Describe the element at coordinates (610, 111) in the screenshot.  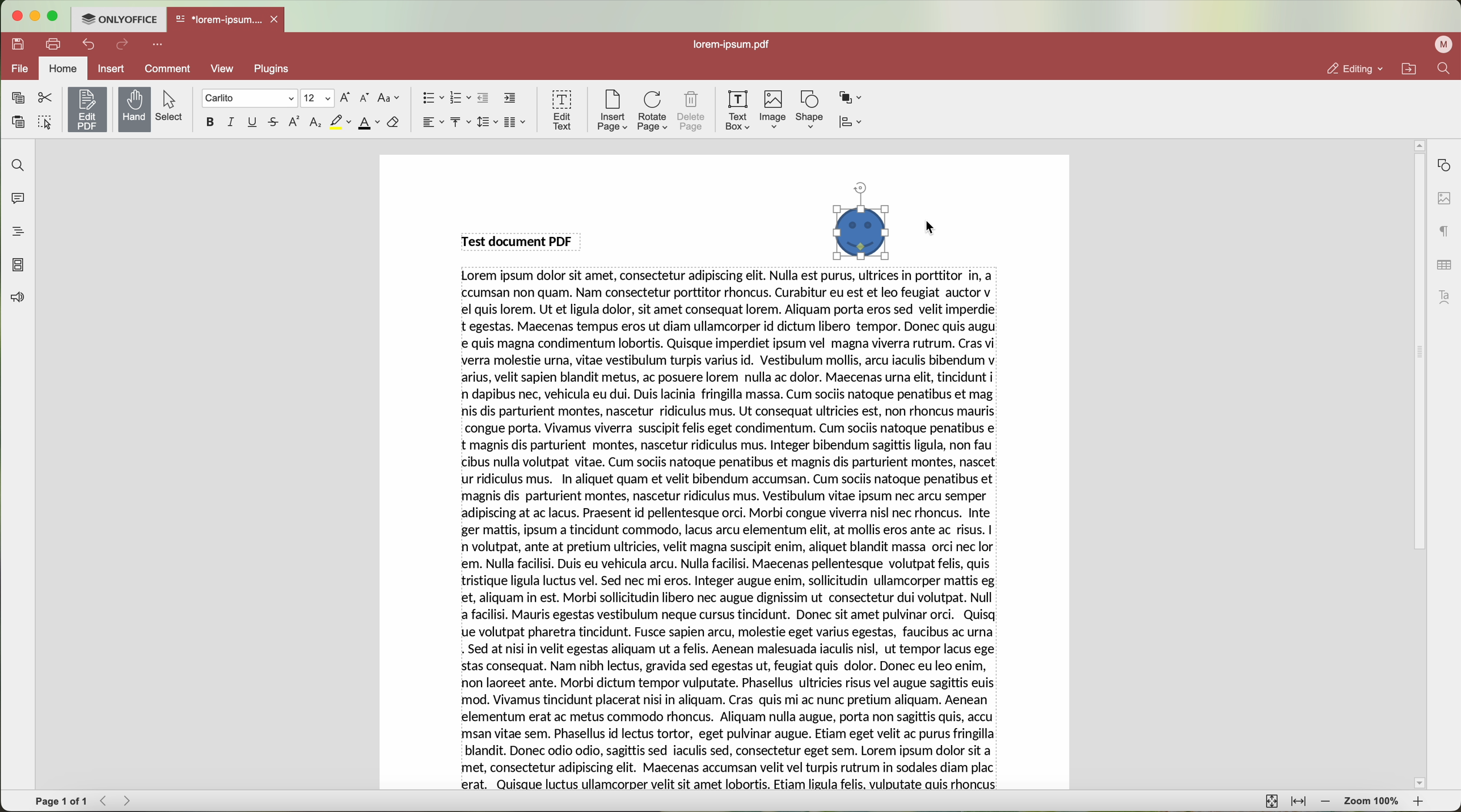
I see `insert page` at that location.